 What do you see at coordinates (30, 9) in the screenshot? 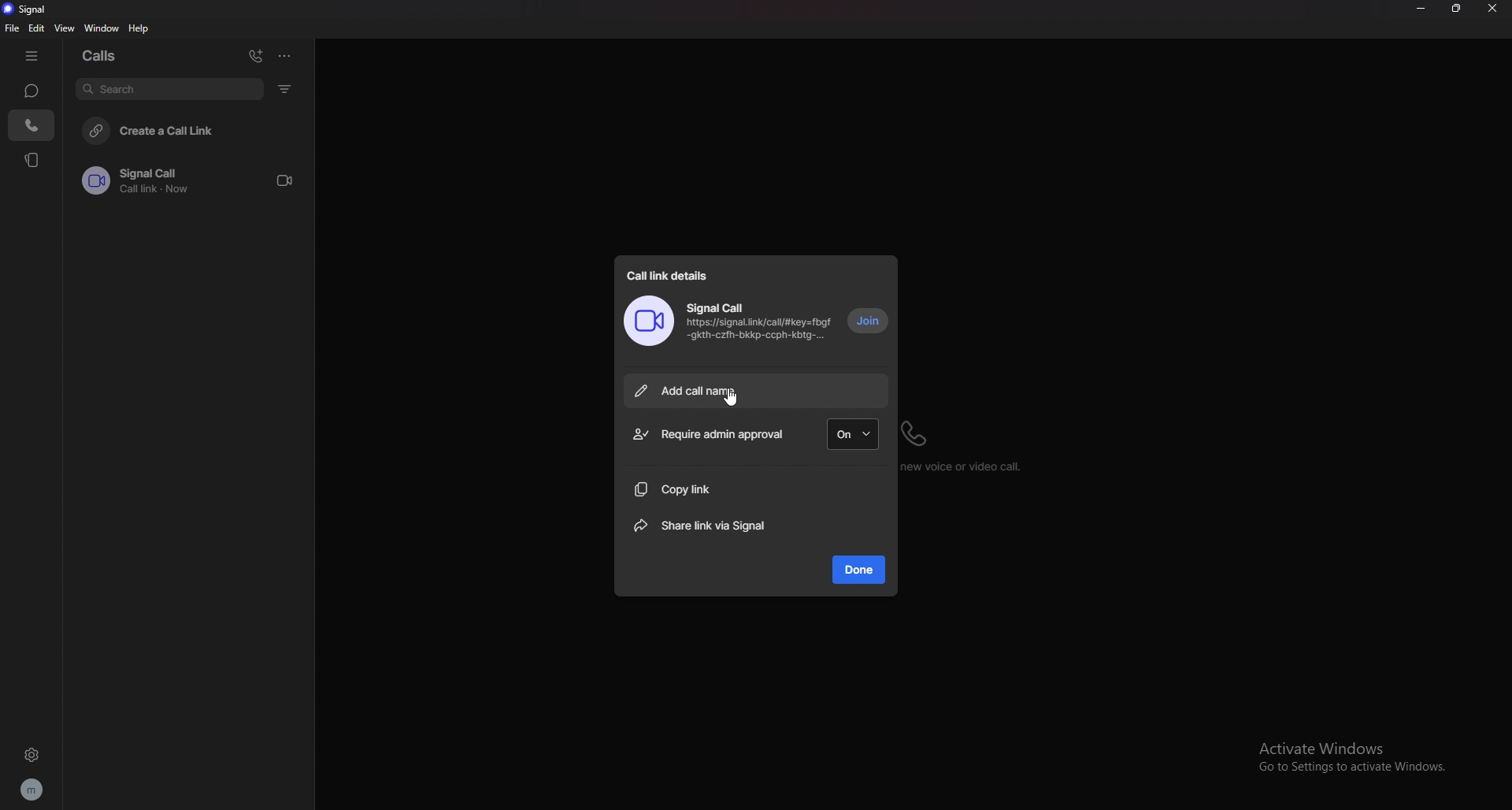
I see `signal` at bounding box center [30, 9].